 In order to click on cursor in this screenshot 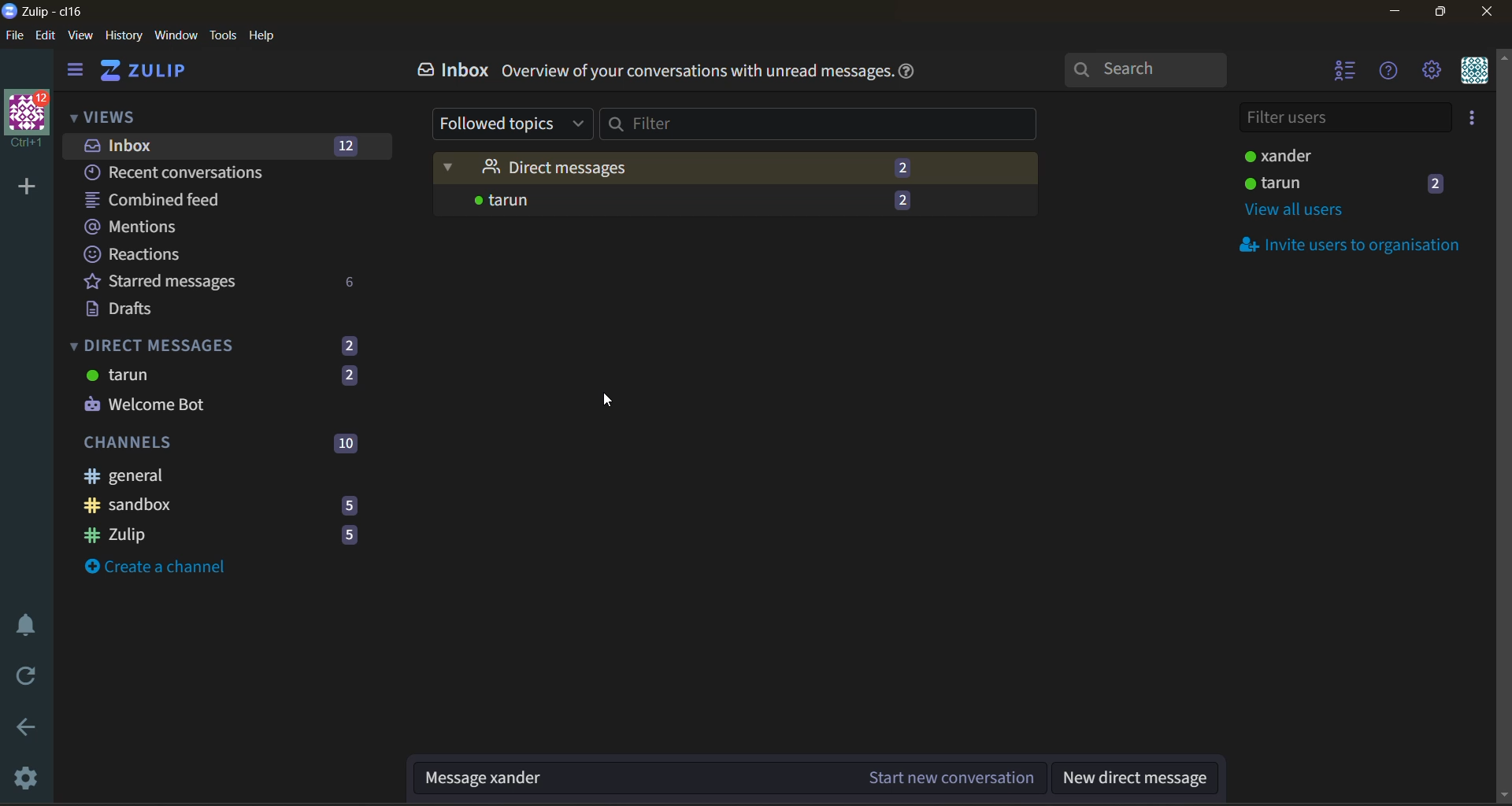, I will do `click(613, 399)`.